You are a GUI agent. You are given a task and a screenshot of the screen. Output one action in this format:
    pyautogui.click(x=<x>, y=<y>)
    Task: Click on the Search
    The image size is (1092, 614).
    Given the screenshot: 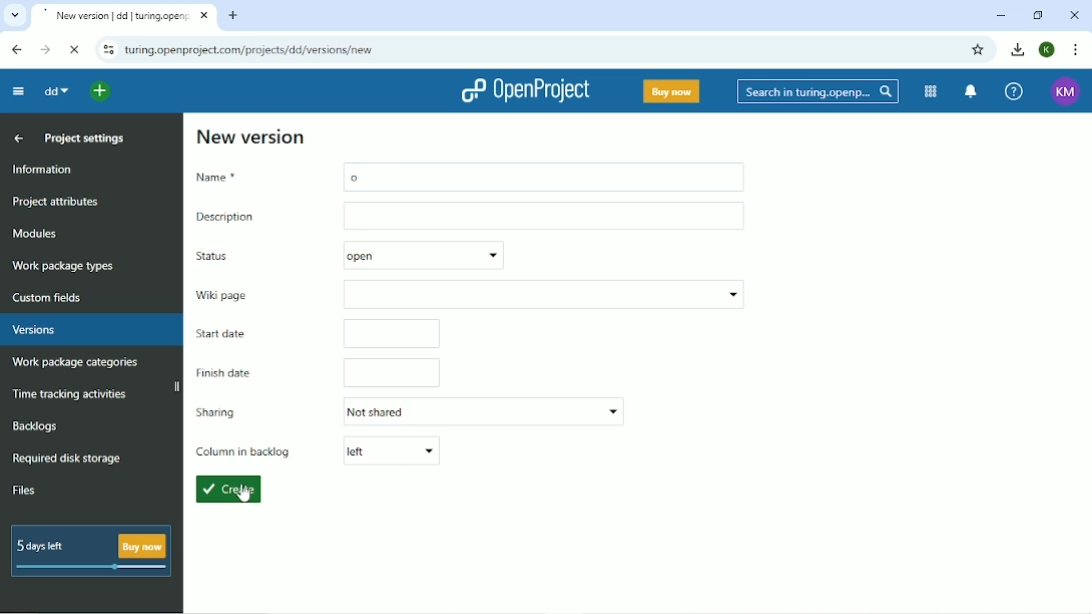 What is the action you would take?
    pyautogui.click(x=819, y=92)
    